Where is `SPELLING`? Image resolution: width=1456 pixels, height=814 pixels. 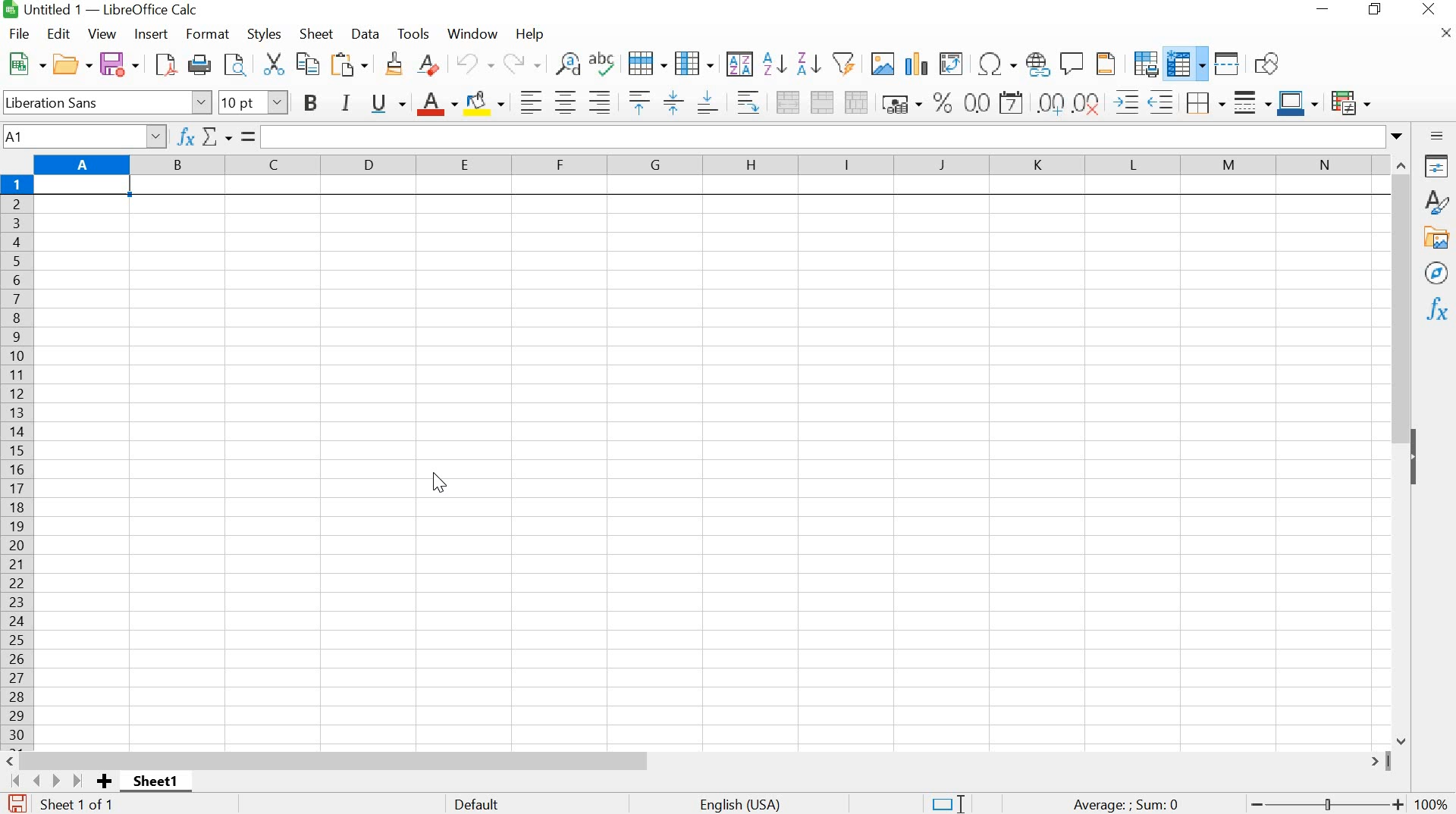 SPELLING is located at coordinates (605, 65).